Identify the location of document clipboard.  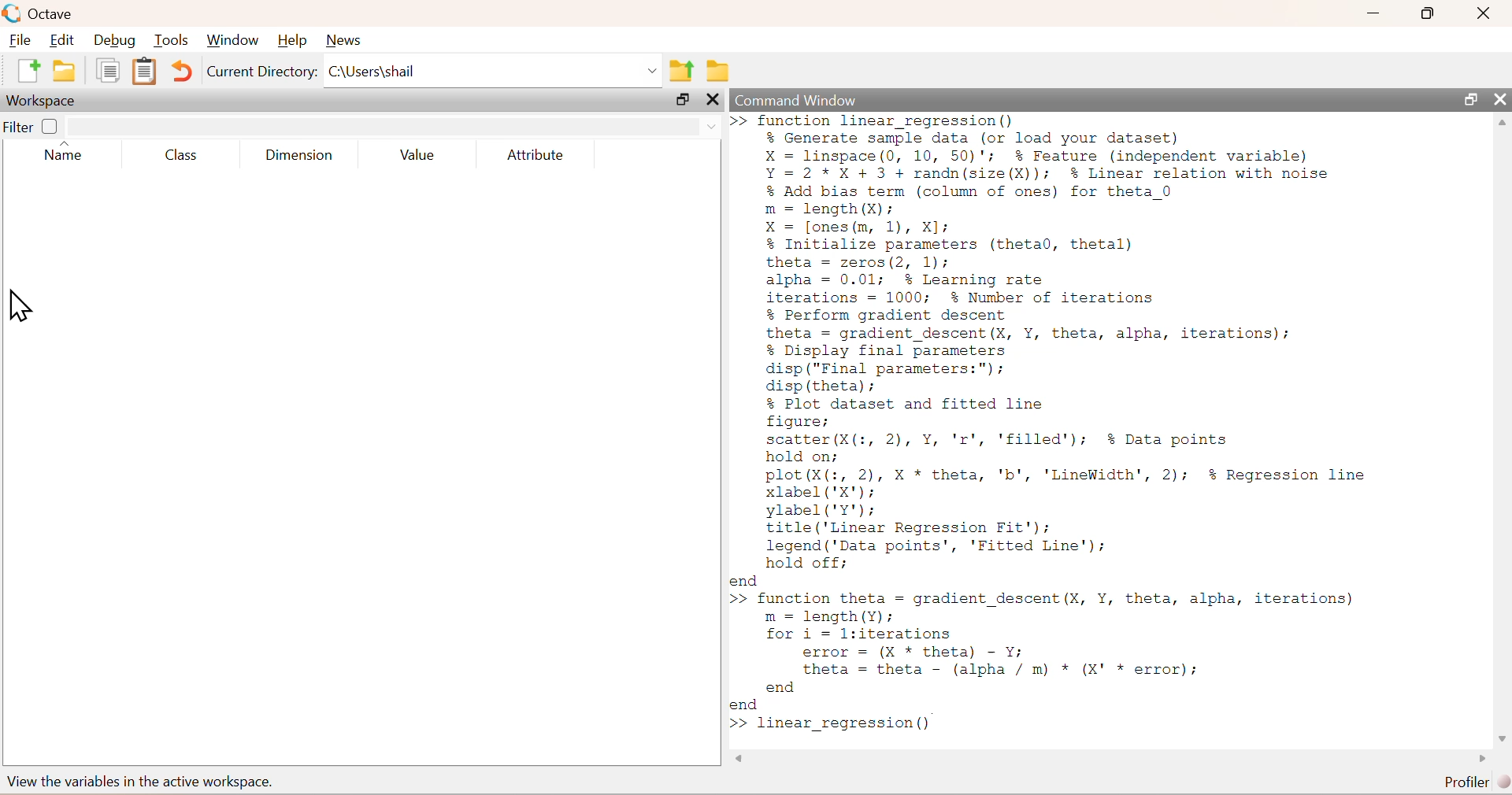
(144, 72).